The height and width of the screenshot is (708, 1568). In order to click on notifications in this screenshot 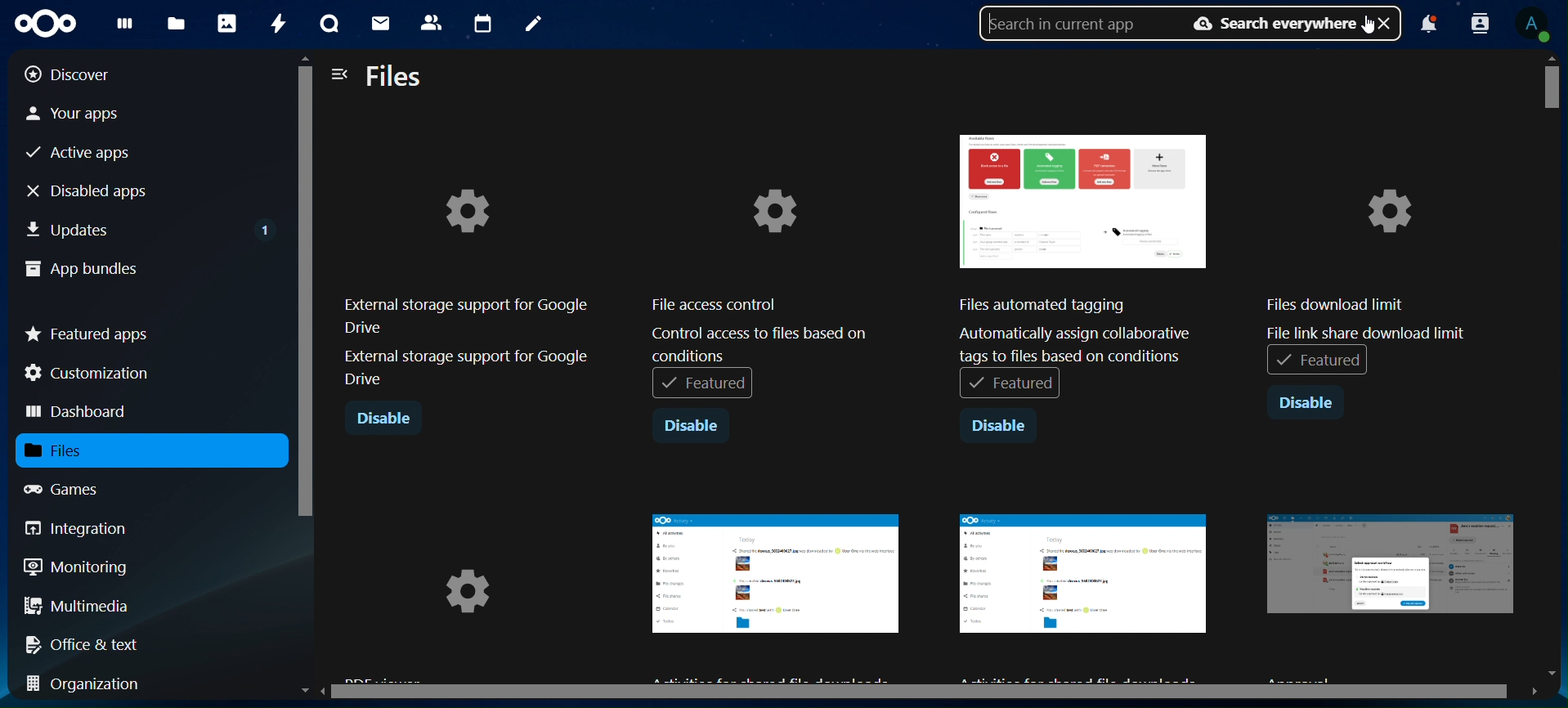, I will do `click(1428, 26)`.